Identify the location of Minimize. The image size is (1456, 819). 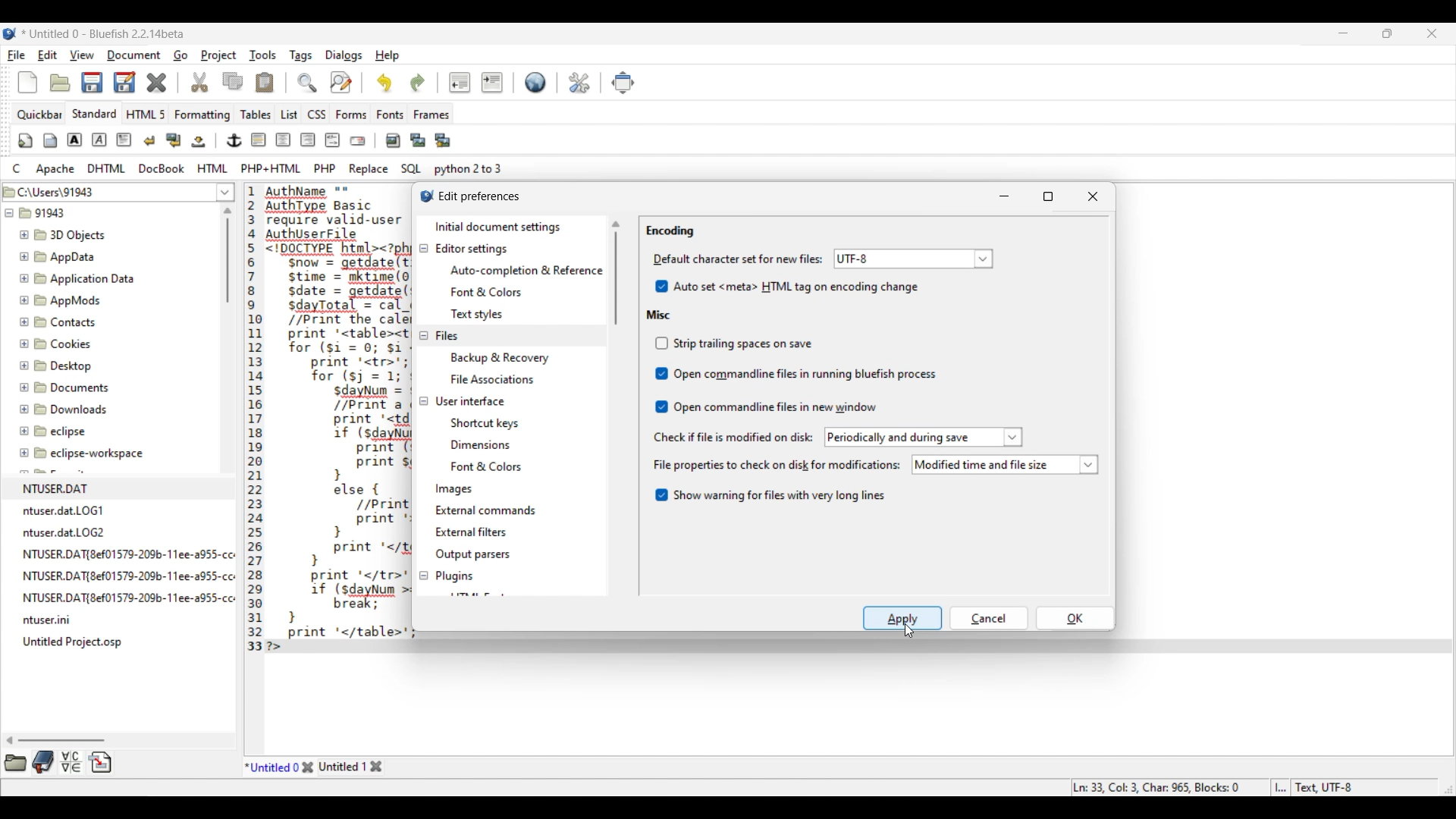
(1344, 33).